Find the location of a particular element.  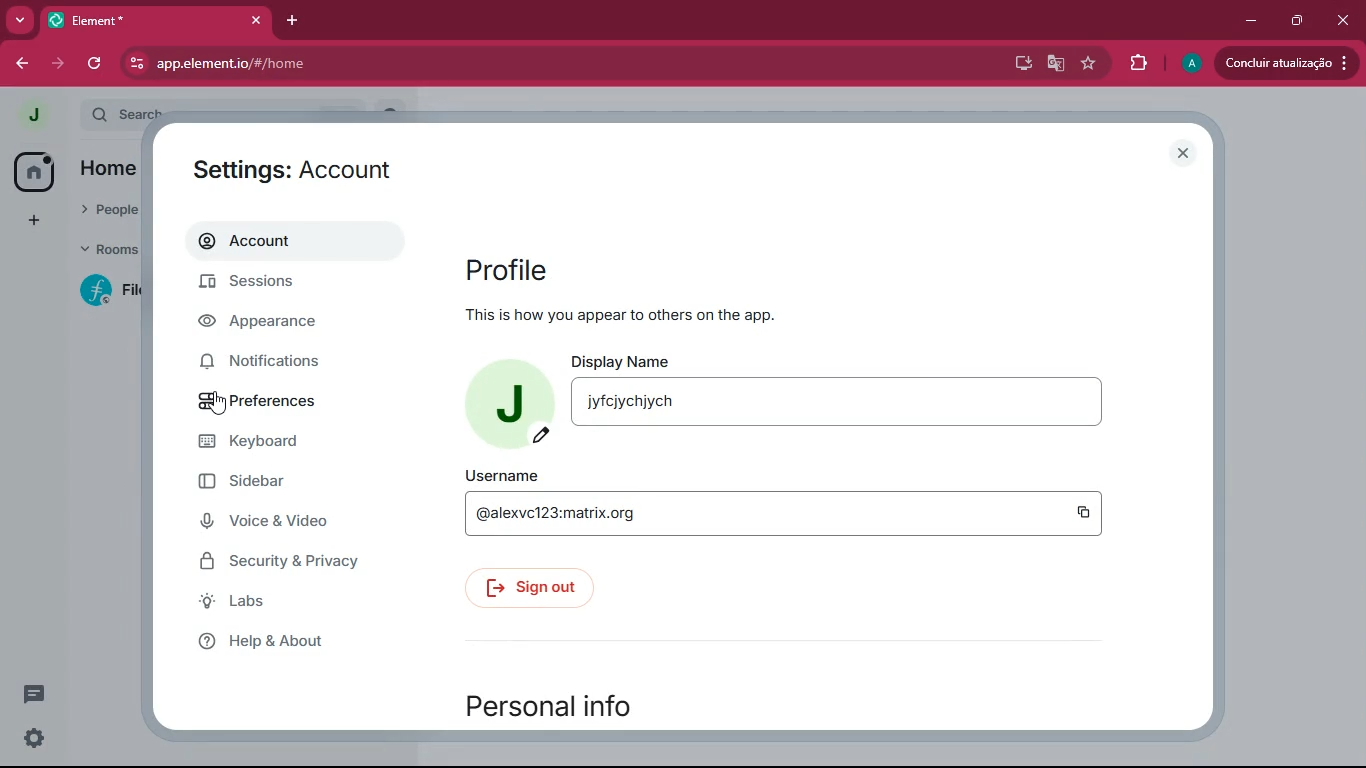

quick settings is located at coordinates (35, 739).